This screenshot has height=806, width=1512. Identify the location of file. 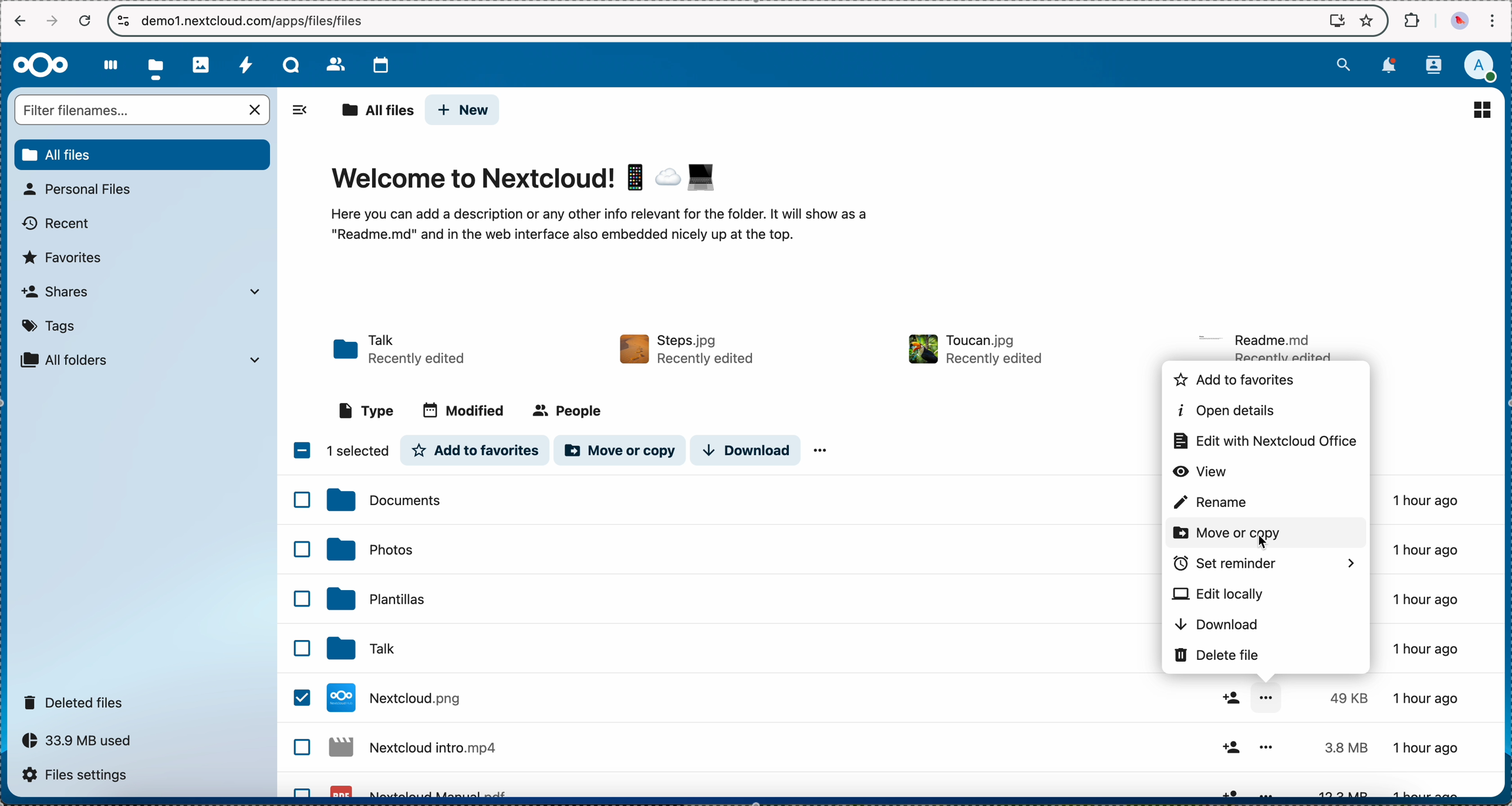
(900, 750).